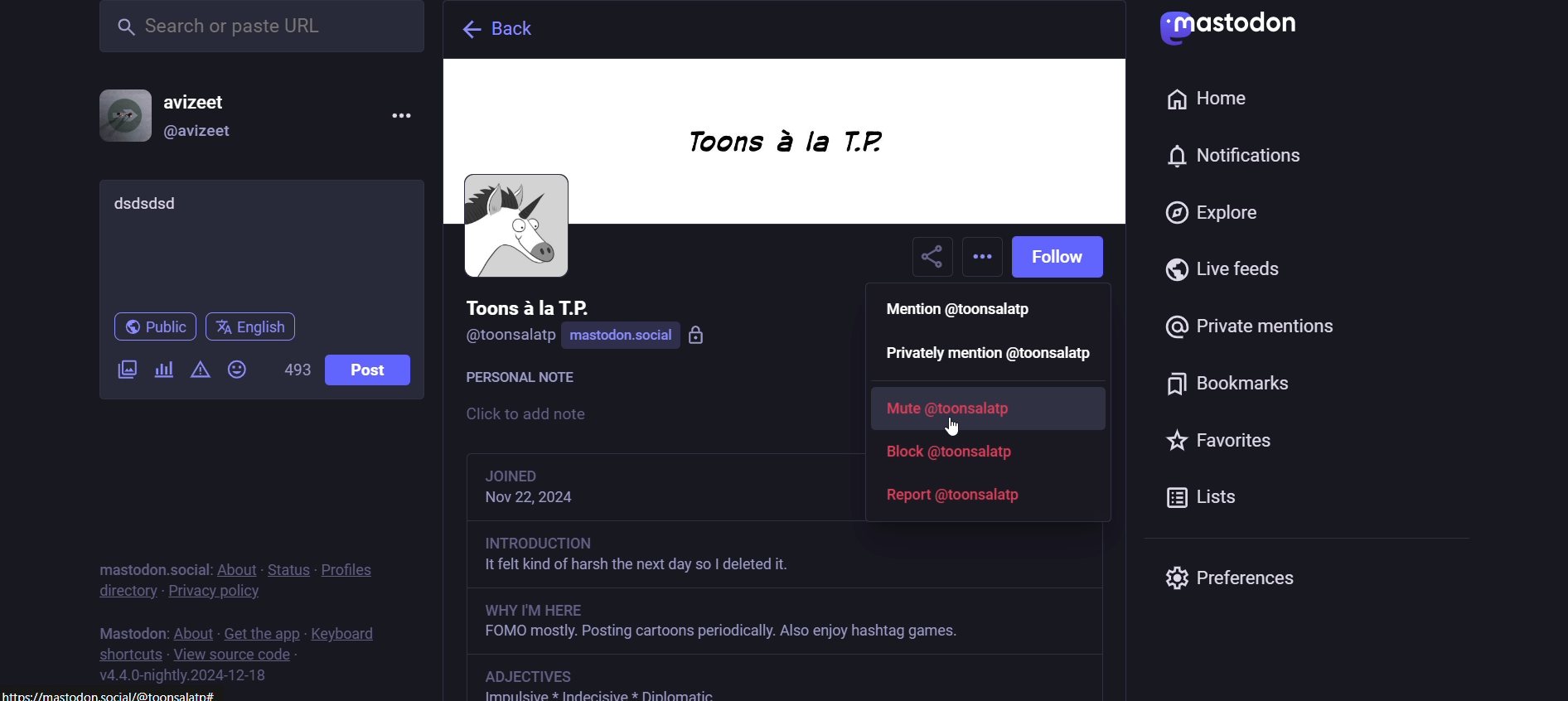 The height and width of the screenshot is (701, 1568). I want to click on share, so click(932, 259).